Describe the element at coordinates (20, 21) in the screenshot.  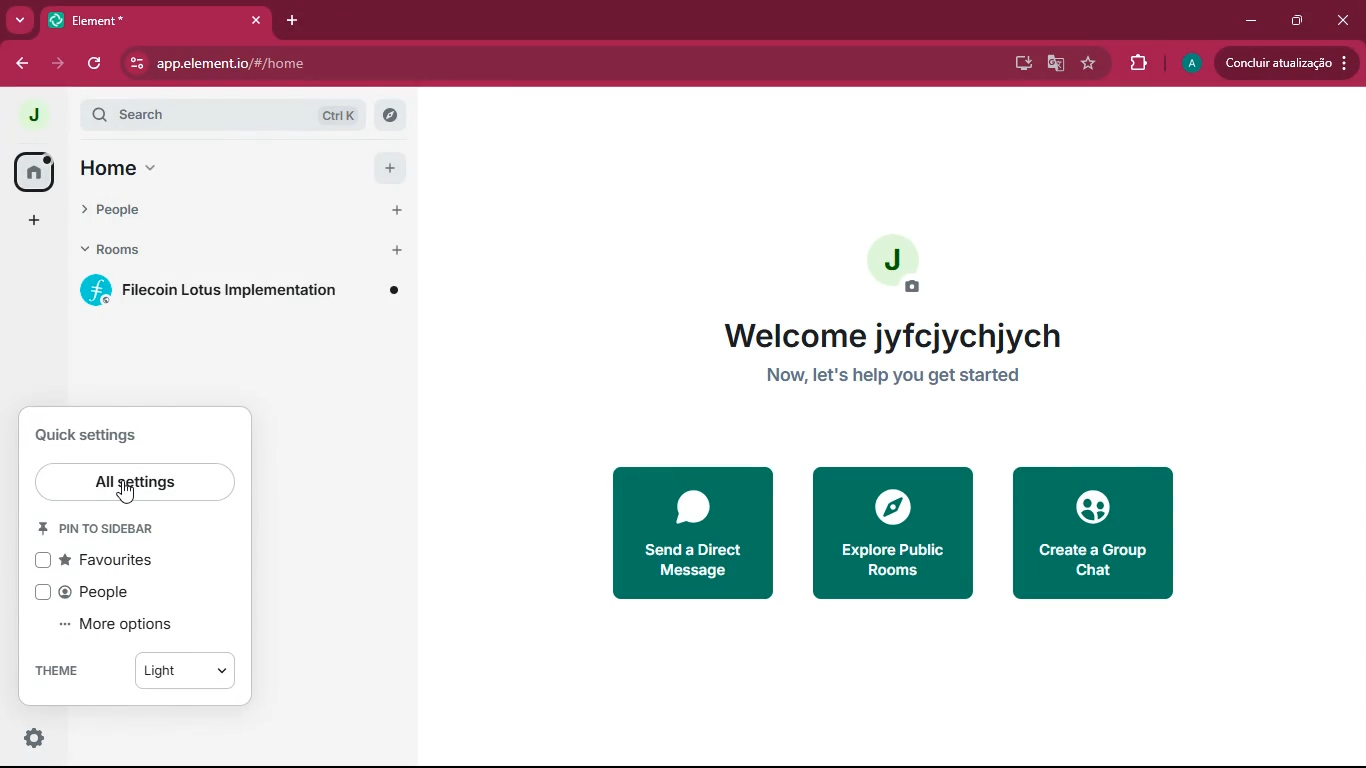
I see `more` at that location.